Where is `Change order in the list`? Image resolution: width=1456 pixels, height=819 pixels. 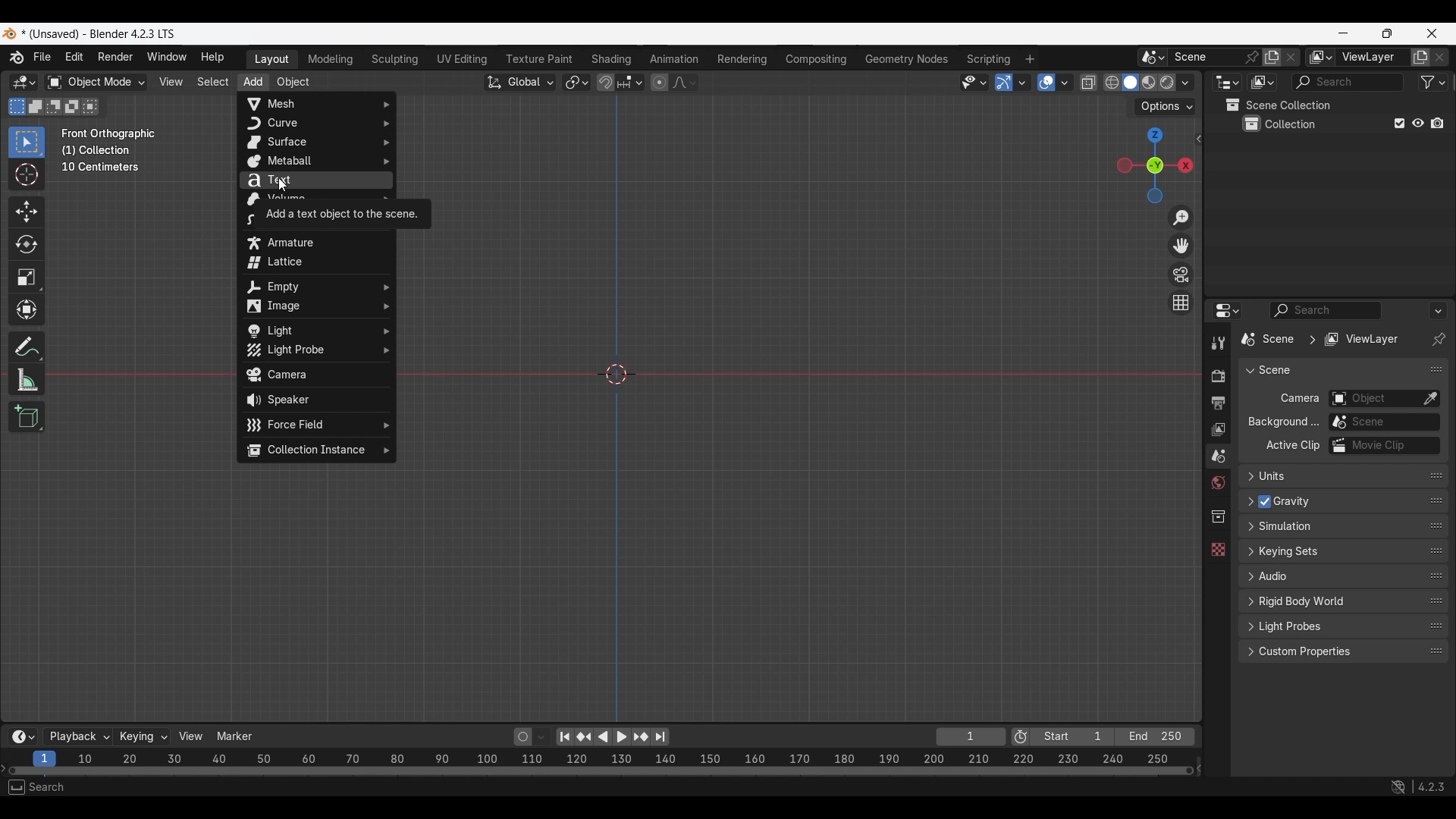
Change order in the list is located at coordinates (1436, 500).